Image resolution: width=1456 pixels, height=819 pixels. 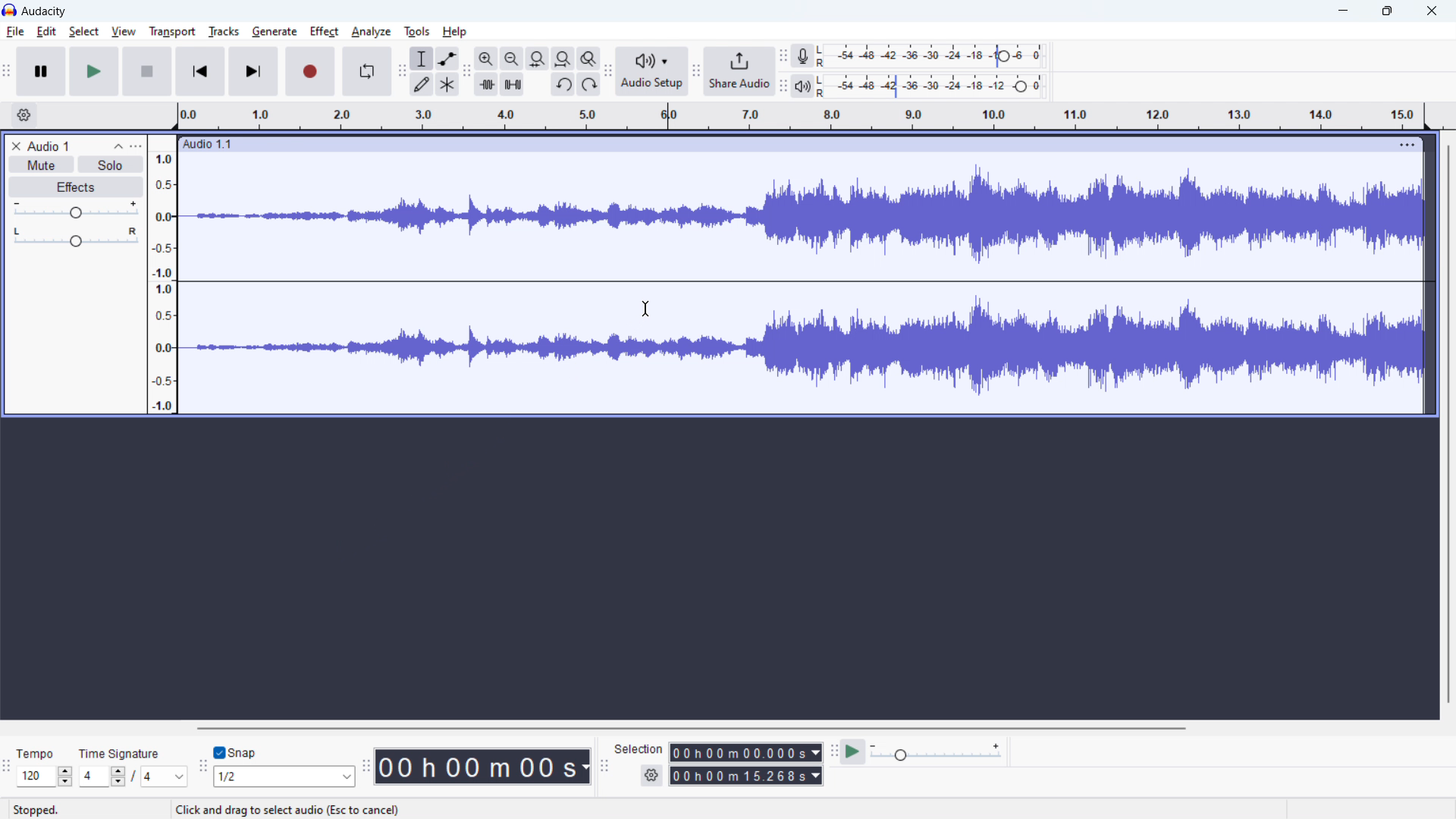 I want to click on playback meter toolbar, so click(x=783, y=87).